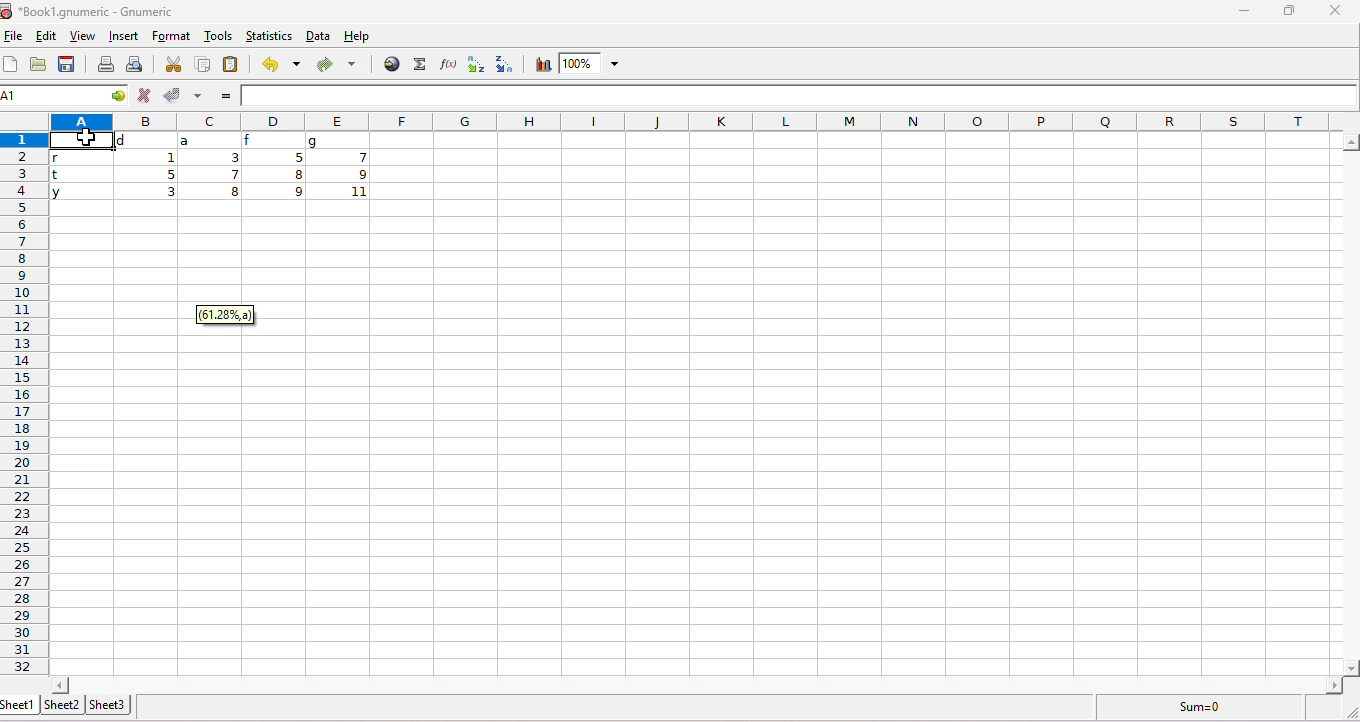 The height and width of the screenshot is (722, 1360). I want to click on insert hyperlink, so click(392, 63).